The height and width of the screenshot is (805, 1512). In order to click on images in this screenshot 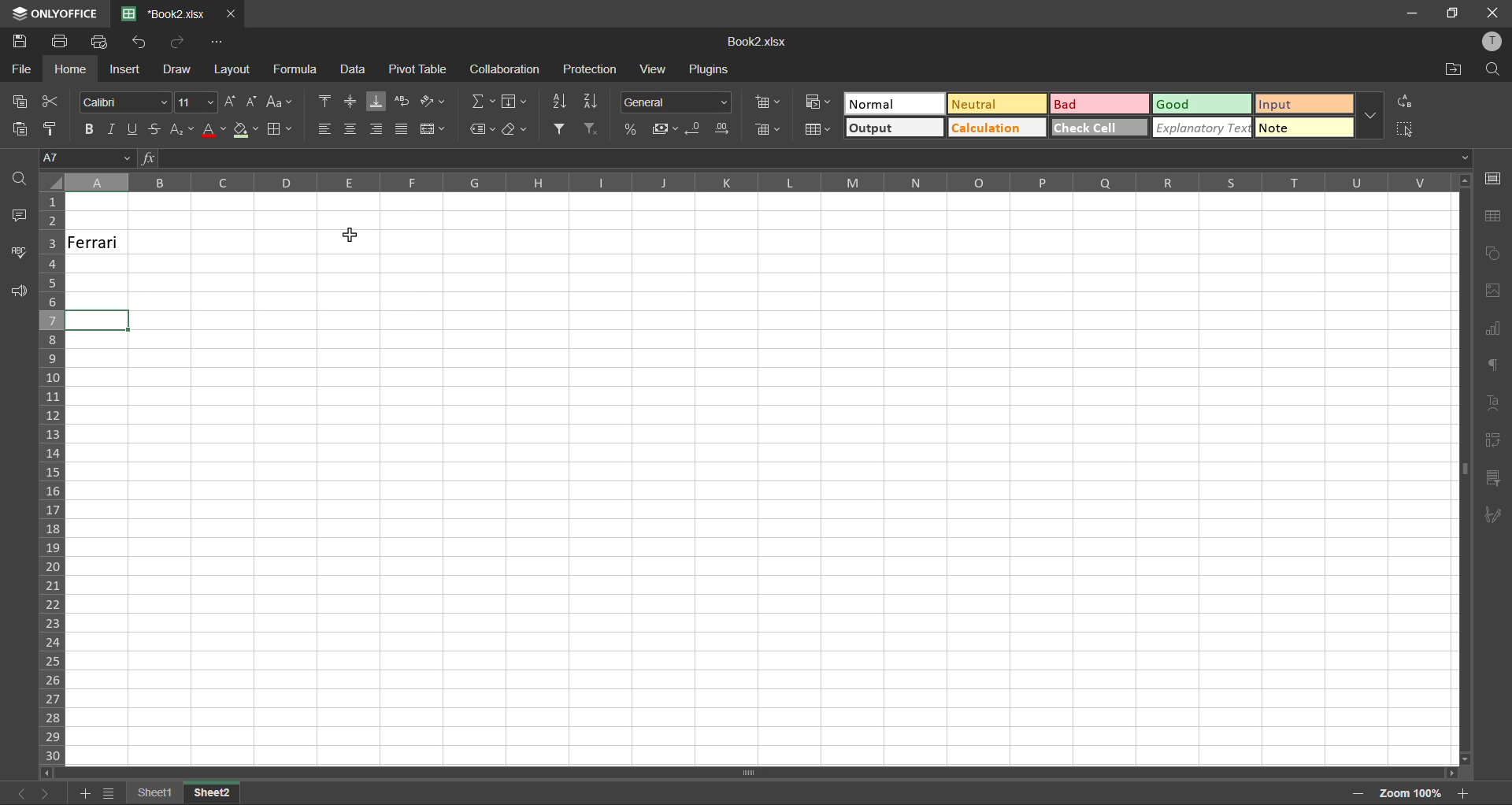, I will do `click(1495, 293)`.